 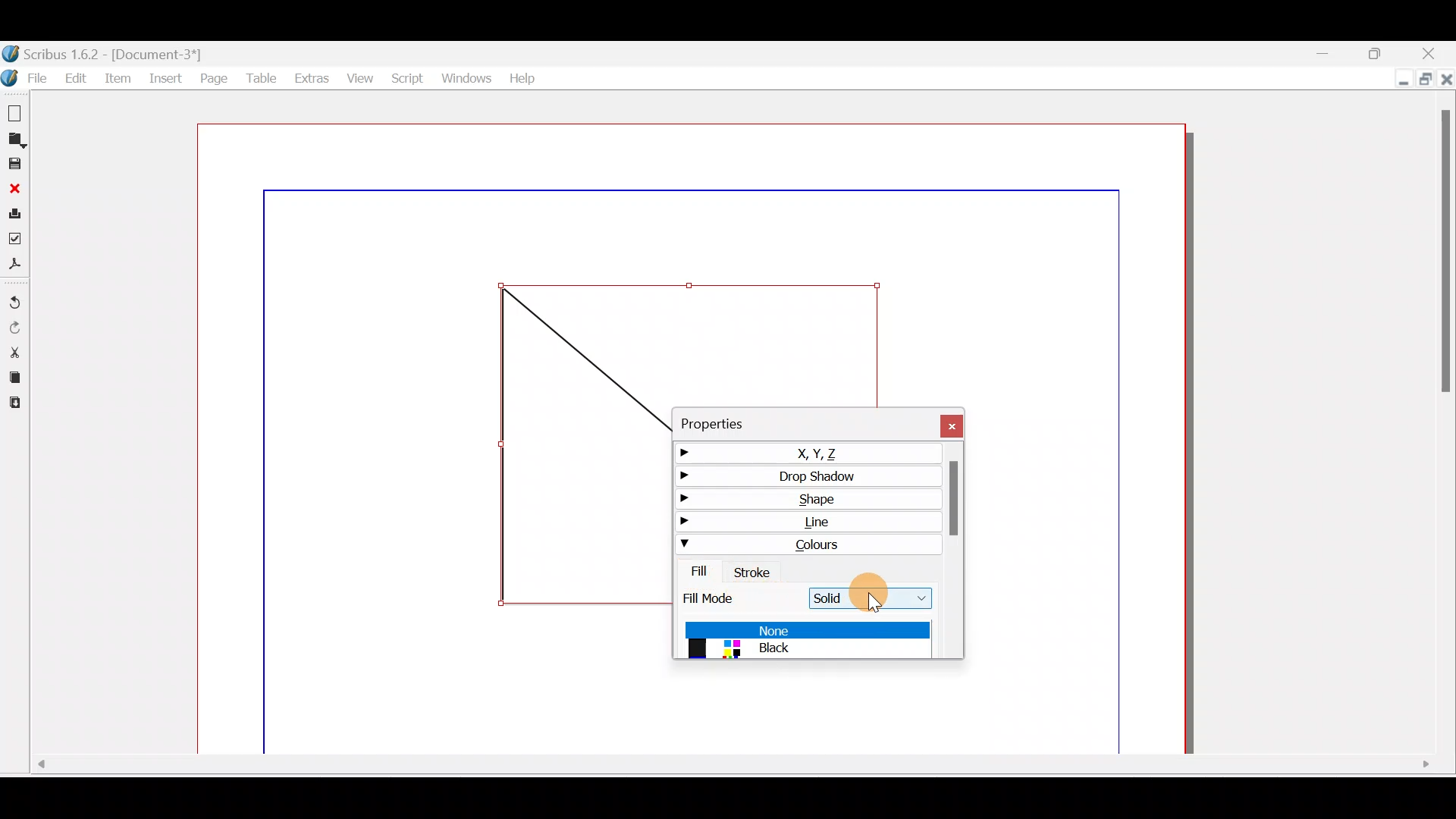 What do you see at coordinates (259, 77) in the screenshot?
I see `Table` at bounding box center [259, 77].